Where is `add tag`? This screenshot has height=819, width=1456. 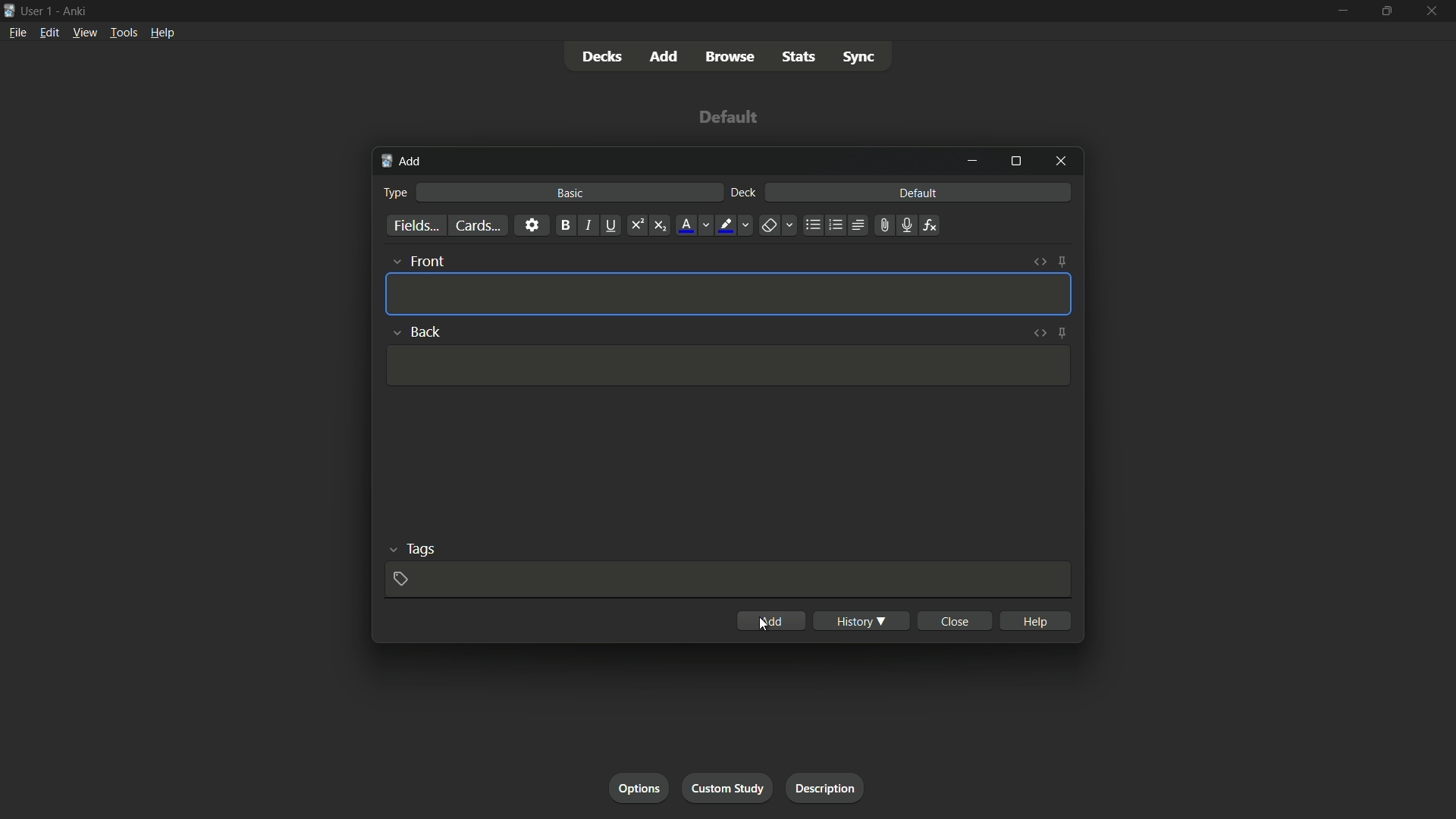 add tag is located at coordinates (401, 577).